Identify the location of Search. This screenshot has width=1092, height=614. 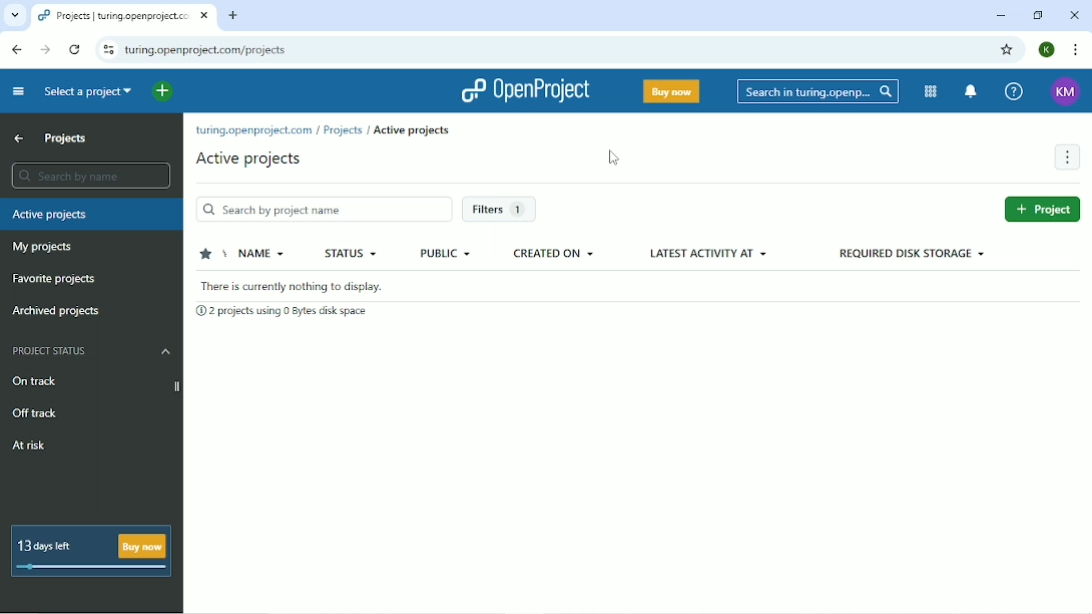
(816, 91).